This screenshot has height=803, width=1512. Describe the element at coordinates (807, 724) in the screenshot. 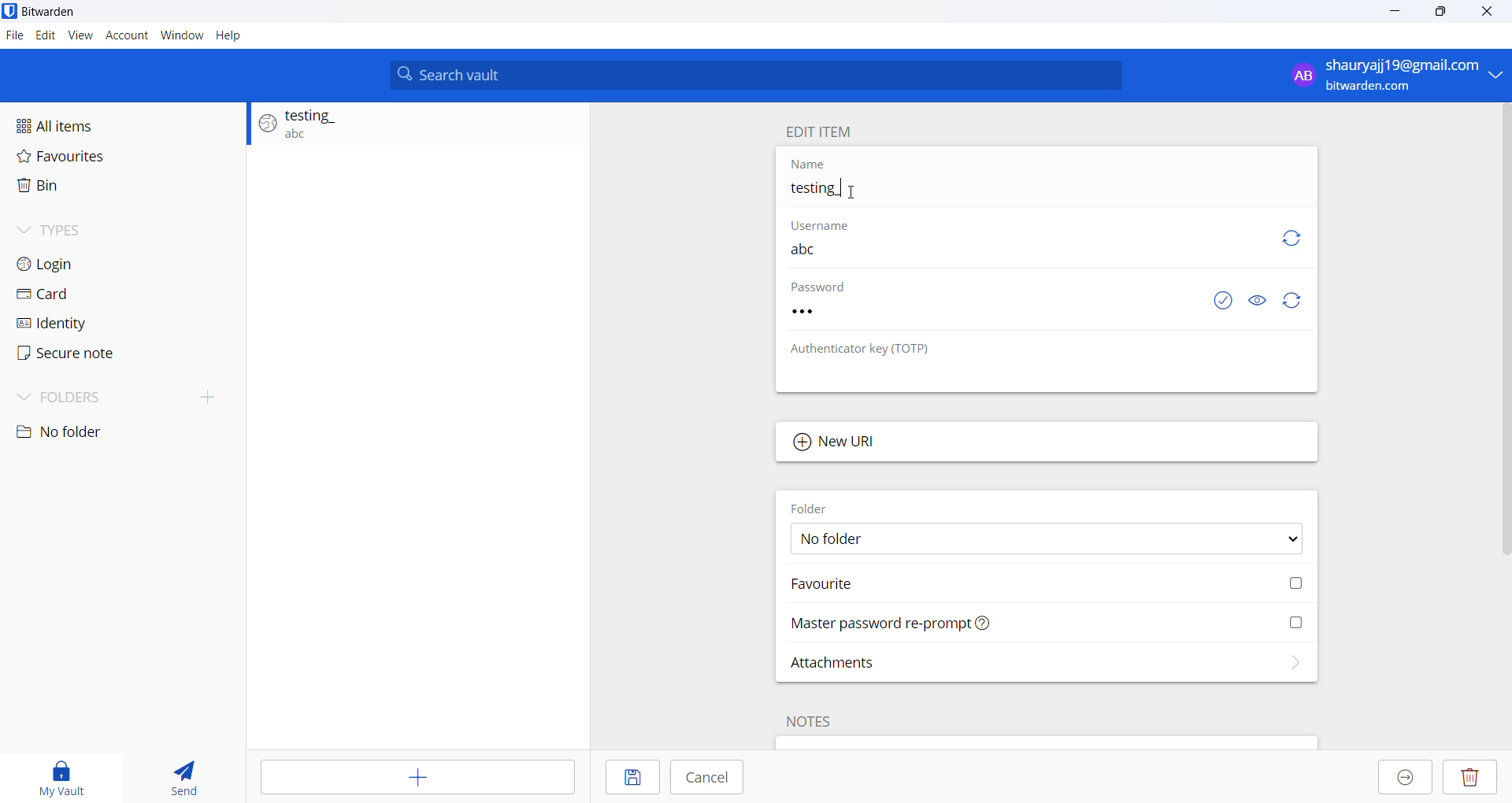

I see `Note heading` at that location.